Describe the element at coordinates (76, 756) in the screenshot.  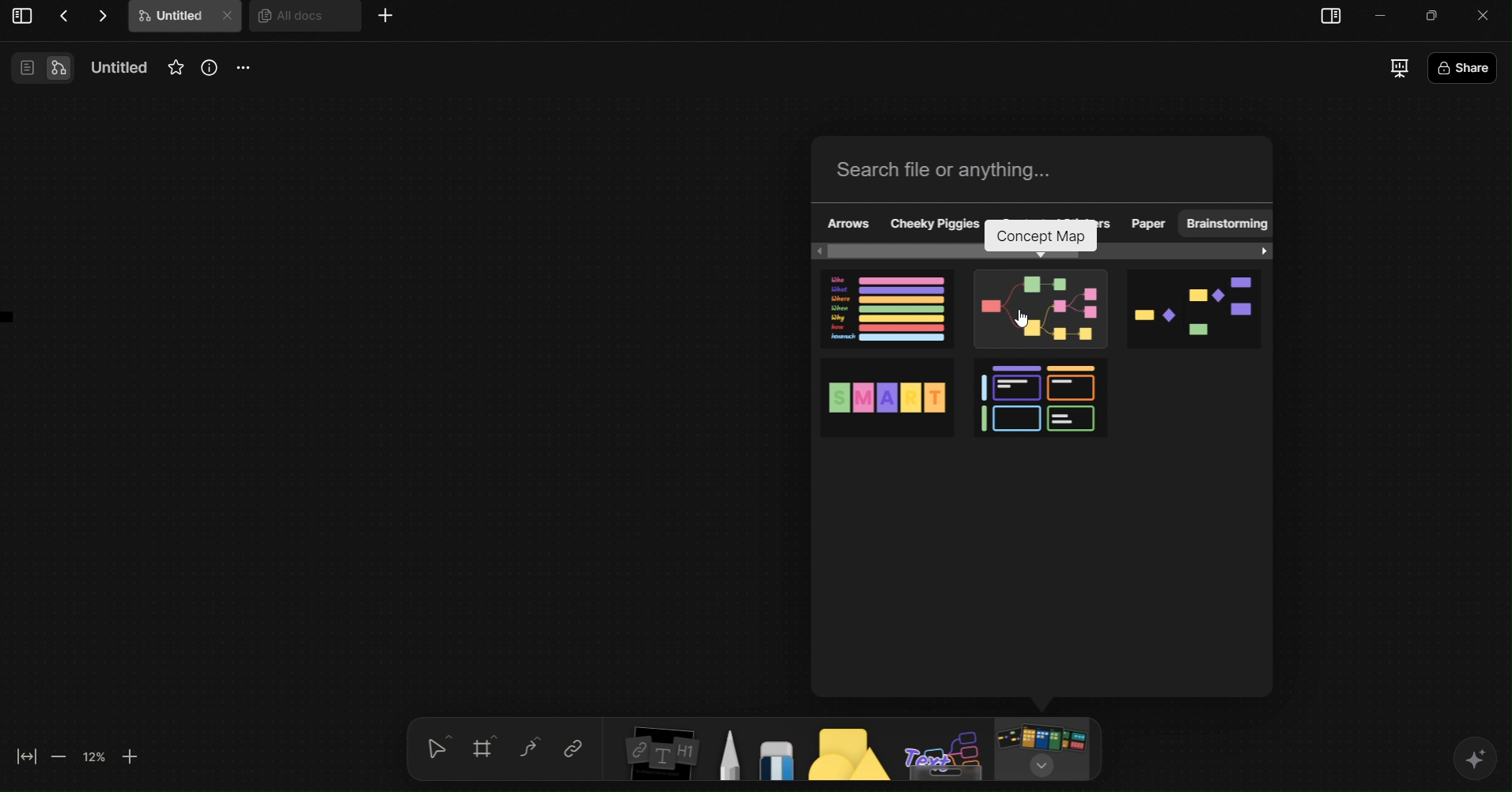
I see `Zoom` at that location.